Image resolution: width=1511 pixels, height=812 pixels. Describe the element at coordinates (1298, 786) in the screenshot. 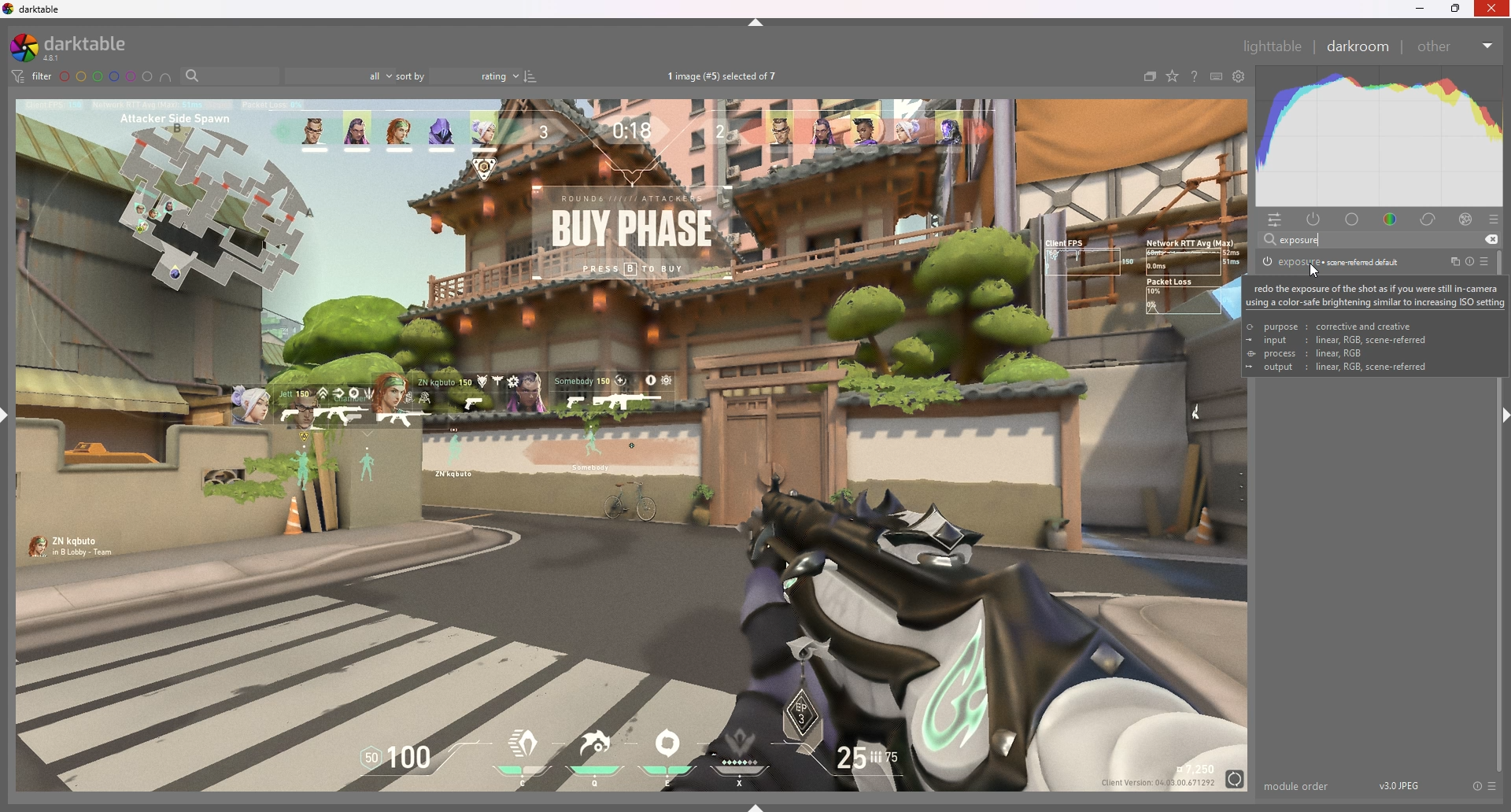

I see `module order` at that location.